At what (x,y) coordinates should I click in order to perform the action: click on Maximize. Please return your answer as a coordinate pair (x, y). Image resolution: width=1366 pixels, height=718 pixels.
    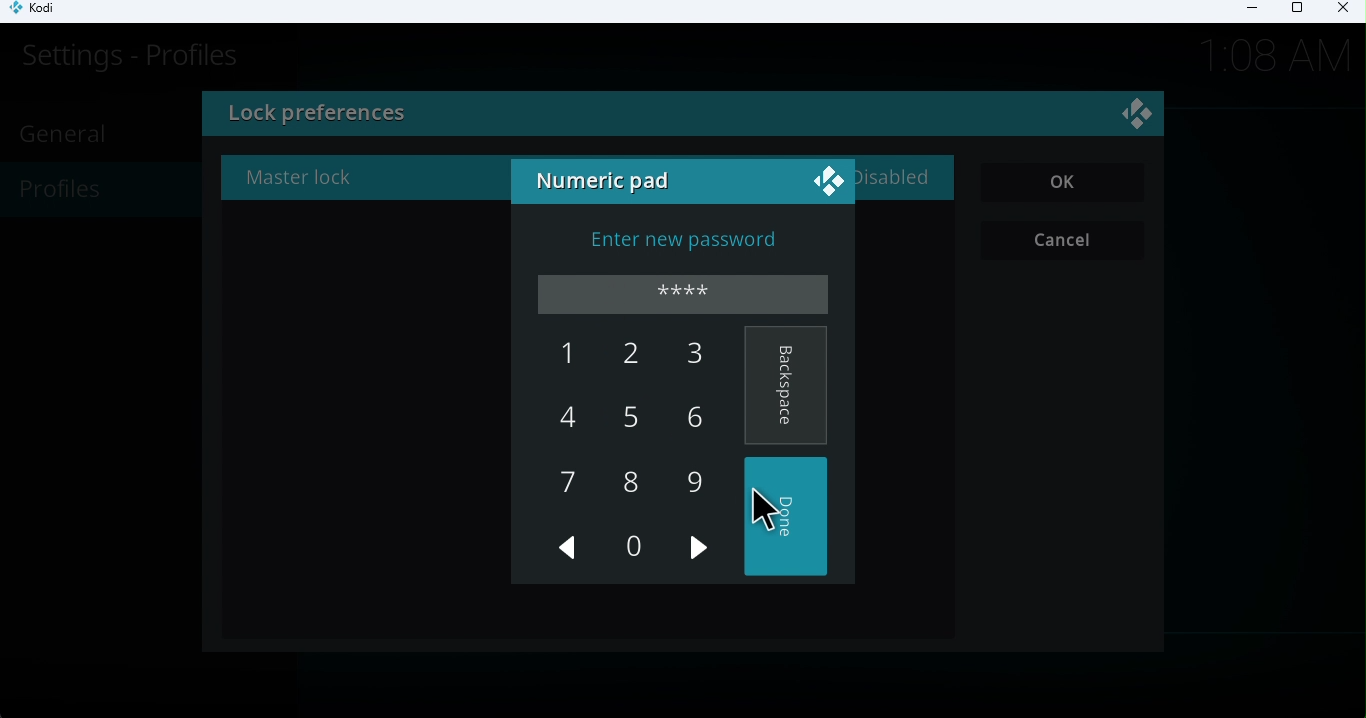
    Looking at the image, I should click on (1296, 12).